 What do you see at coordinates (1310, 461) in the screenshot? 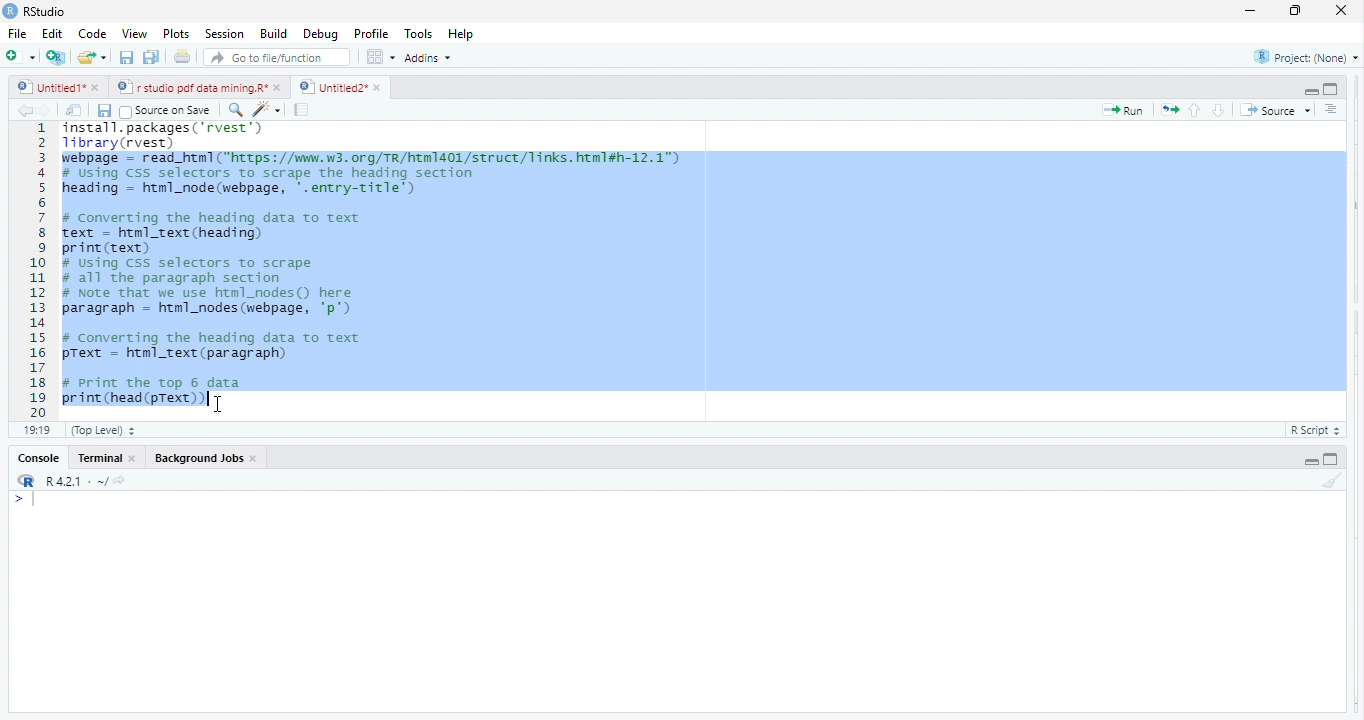
I see `hide r script` at bounding box center [1310, 461].